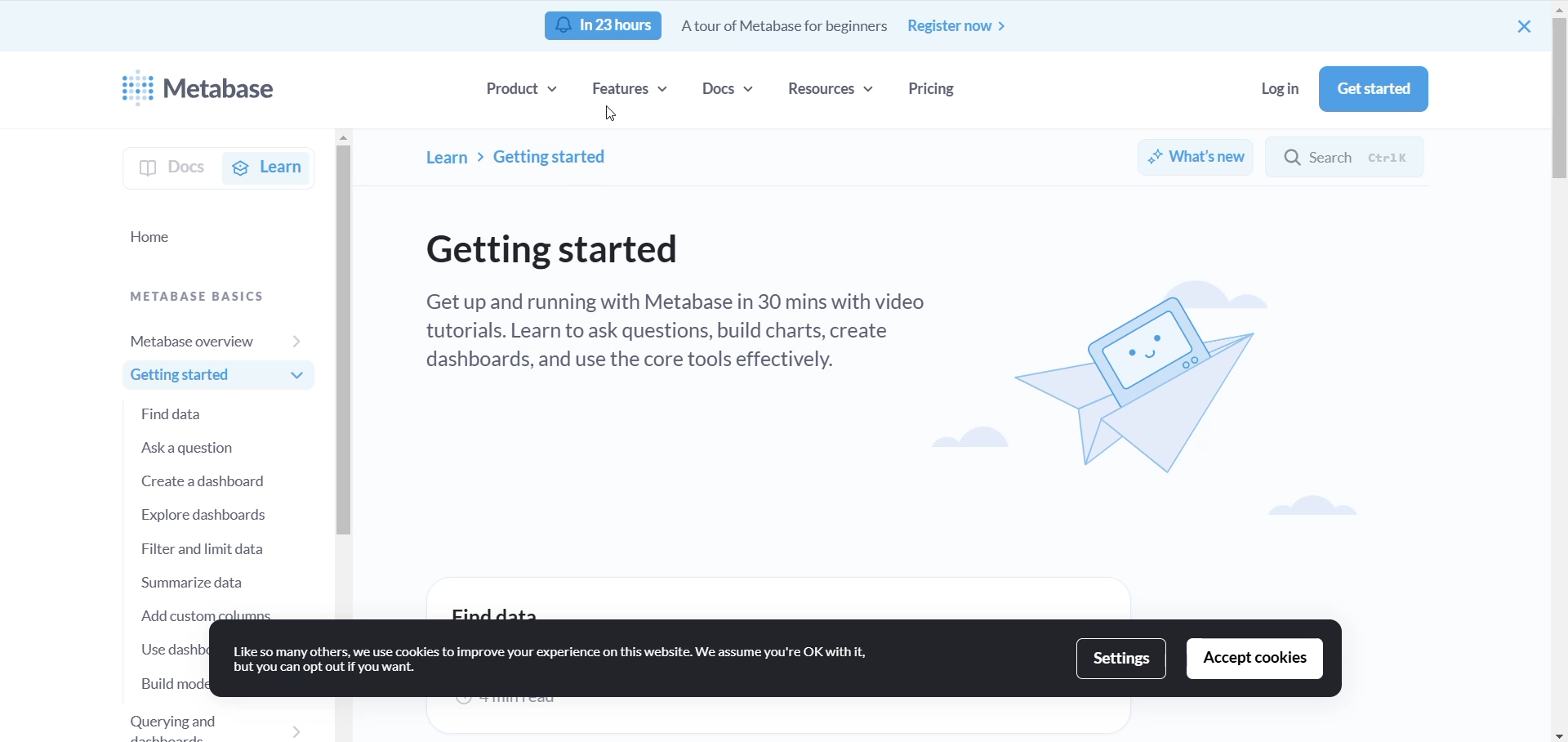 The width and height of the screenshot is (1568, 742). I want to click on scrollbar, so click(1557, 104).